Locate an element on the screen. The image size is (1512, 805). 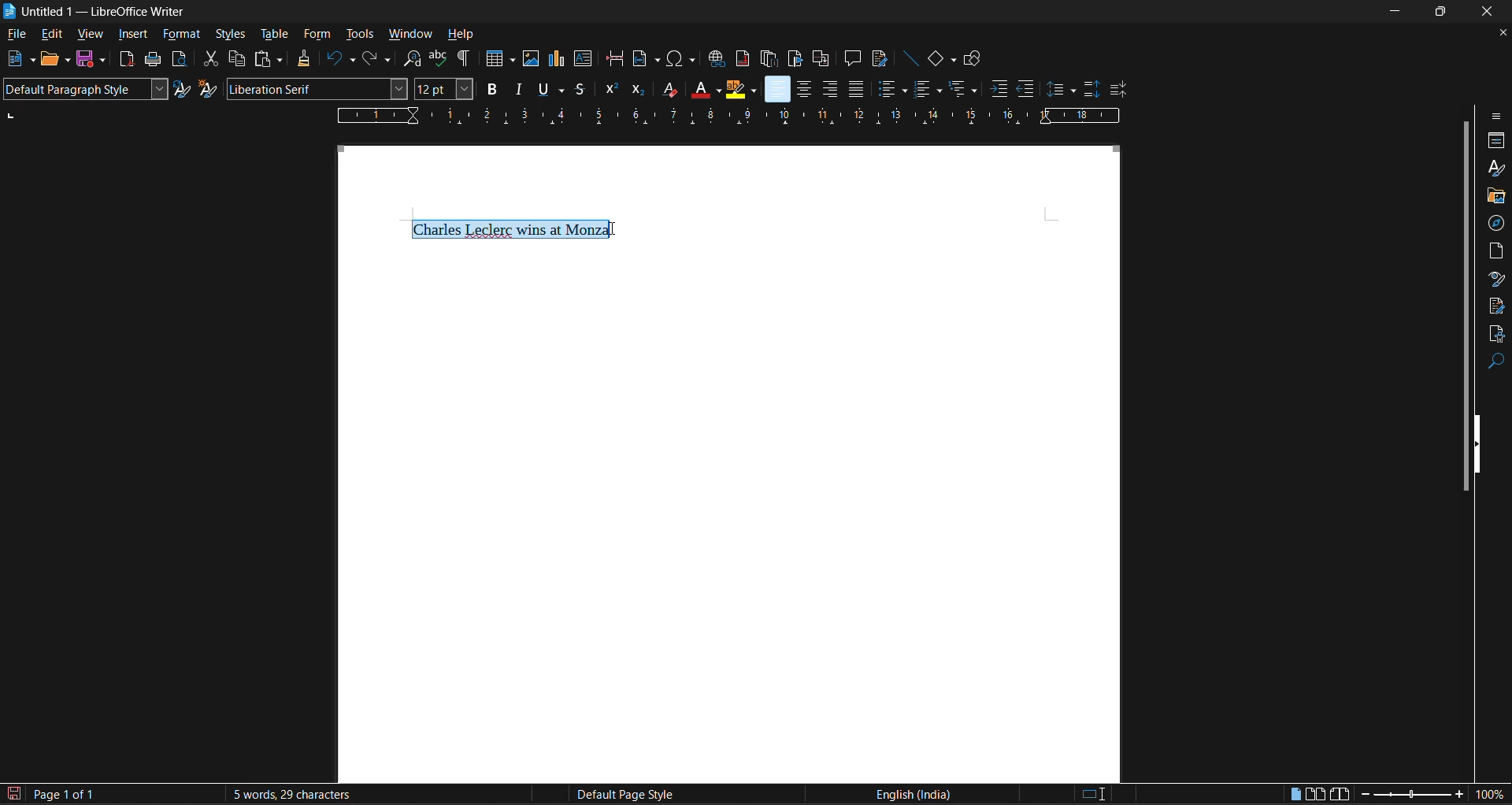
align left is located at coordinates (778, 88).